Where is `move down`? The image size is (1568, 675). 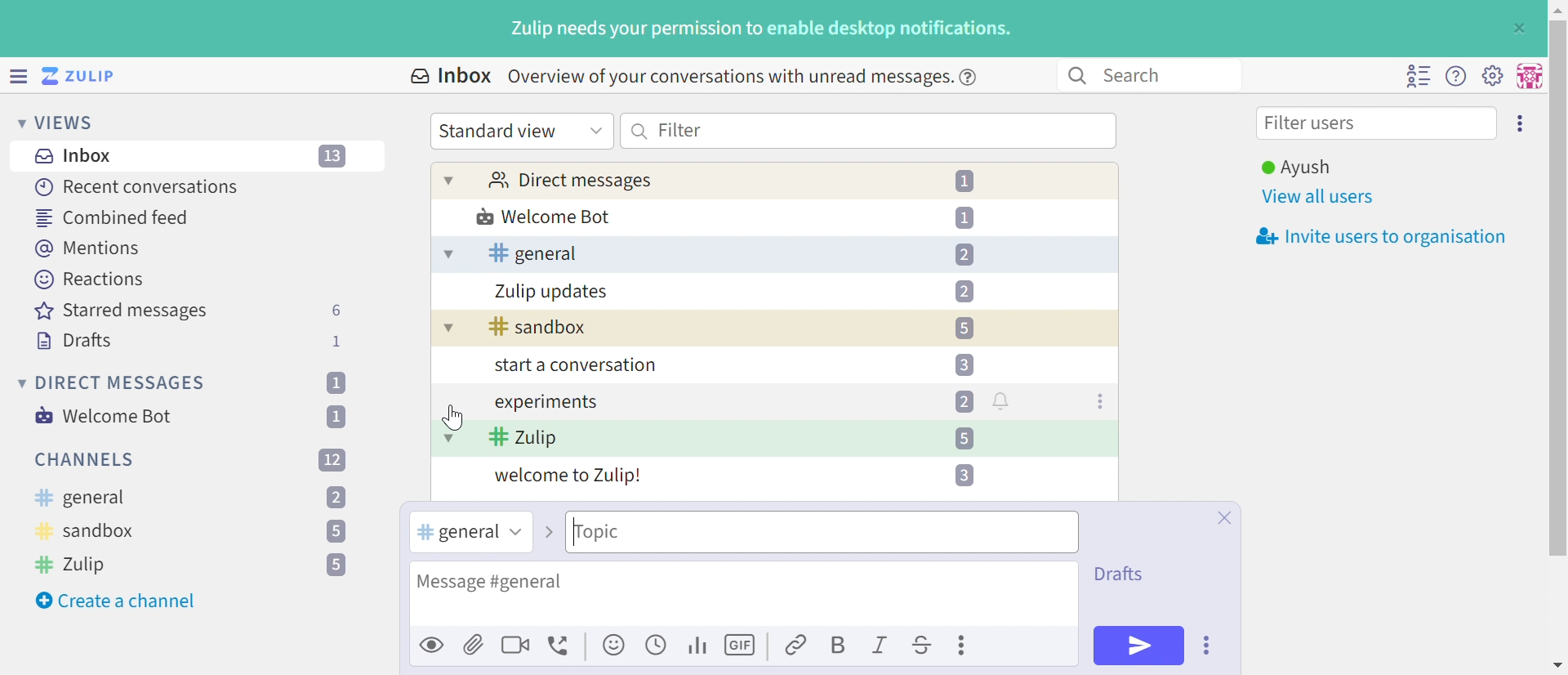
move down is located at coordinates (1557, 665).